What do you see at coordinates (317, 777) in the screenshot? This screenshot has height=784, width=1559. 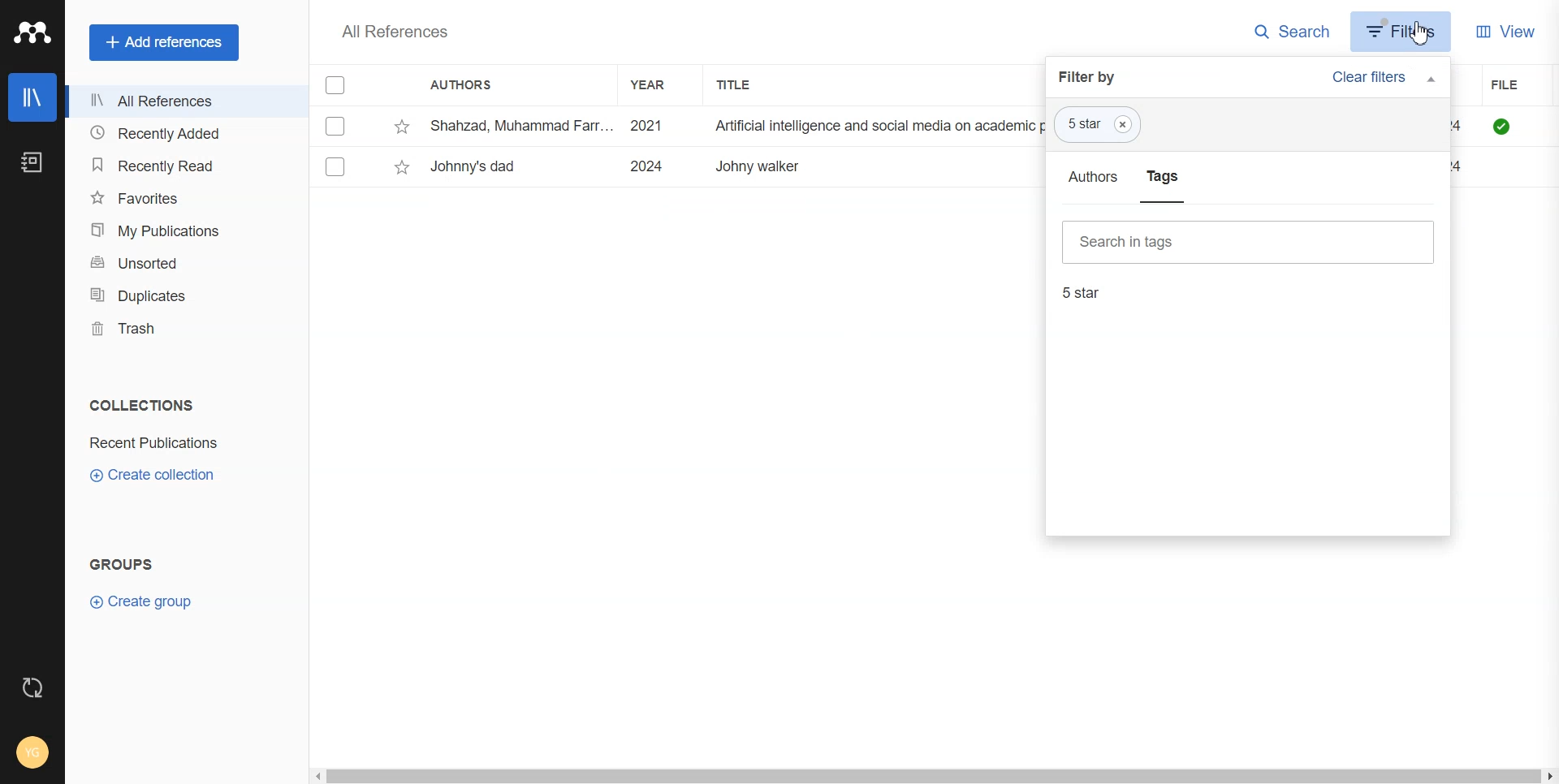 I see `scroll left` at bounding box center [317, 777].